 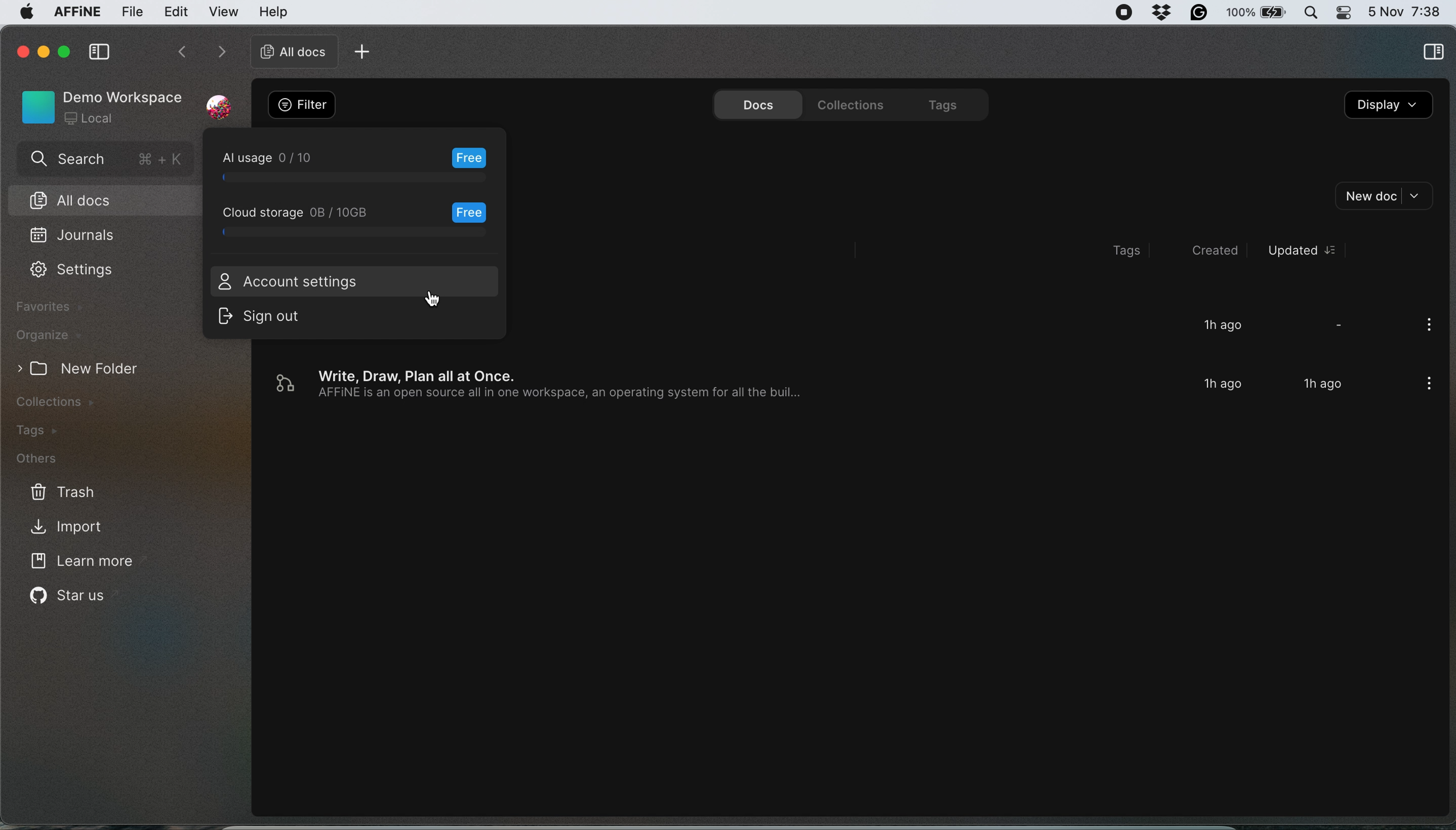 What do you see at coordinates (21, 50) in the screenshot?
I see `close` at bounding box center [21, 50].